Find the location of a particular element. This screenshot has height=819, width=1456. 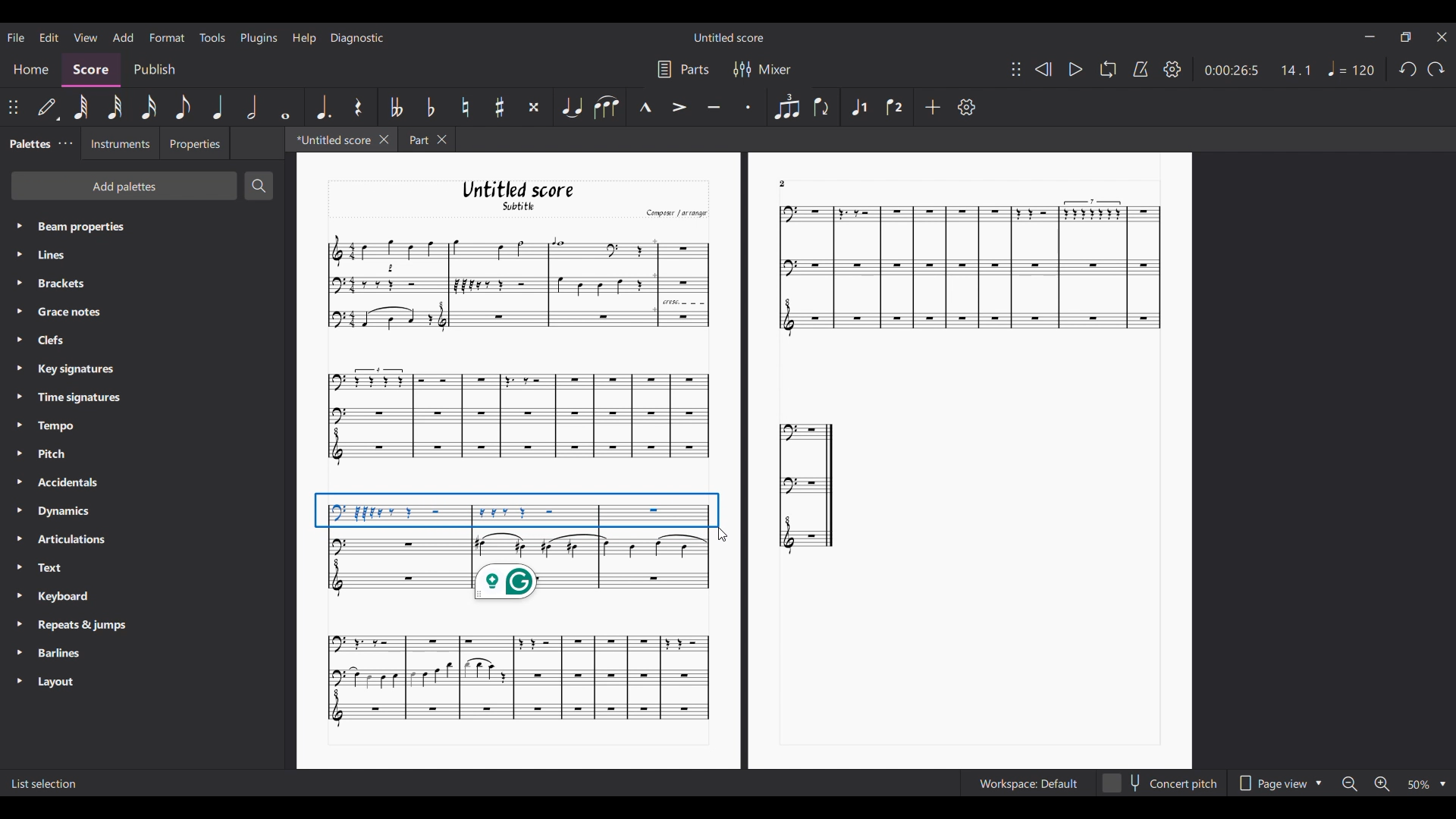

Tuplet is located at coordinates (786, 106).